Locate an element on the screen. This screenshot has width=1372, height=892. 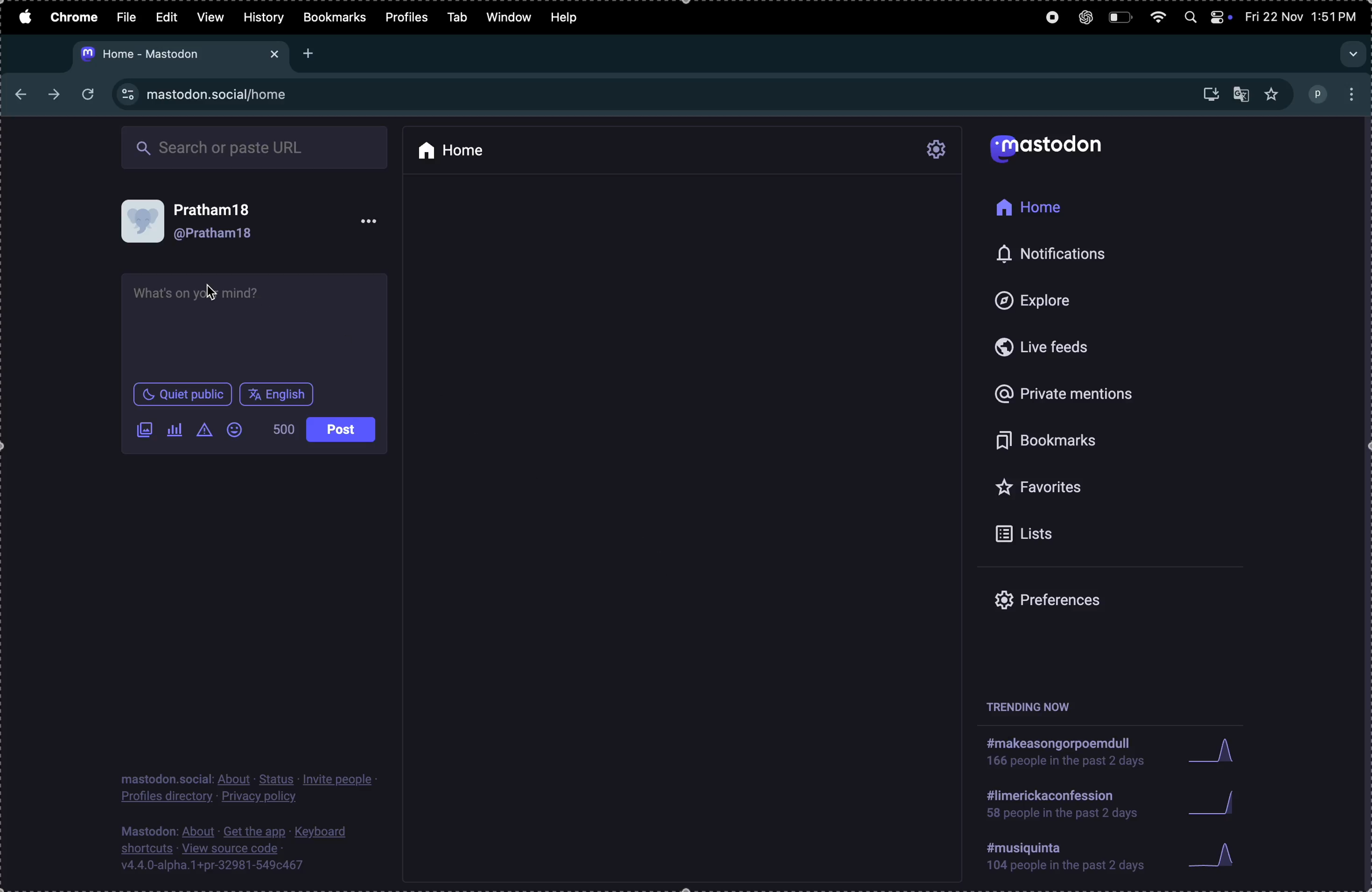
prefrences is located at coordinates (1071, 599).